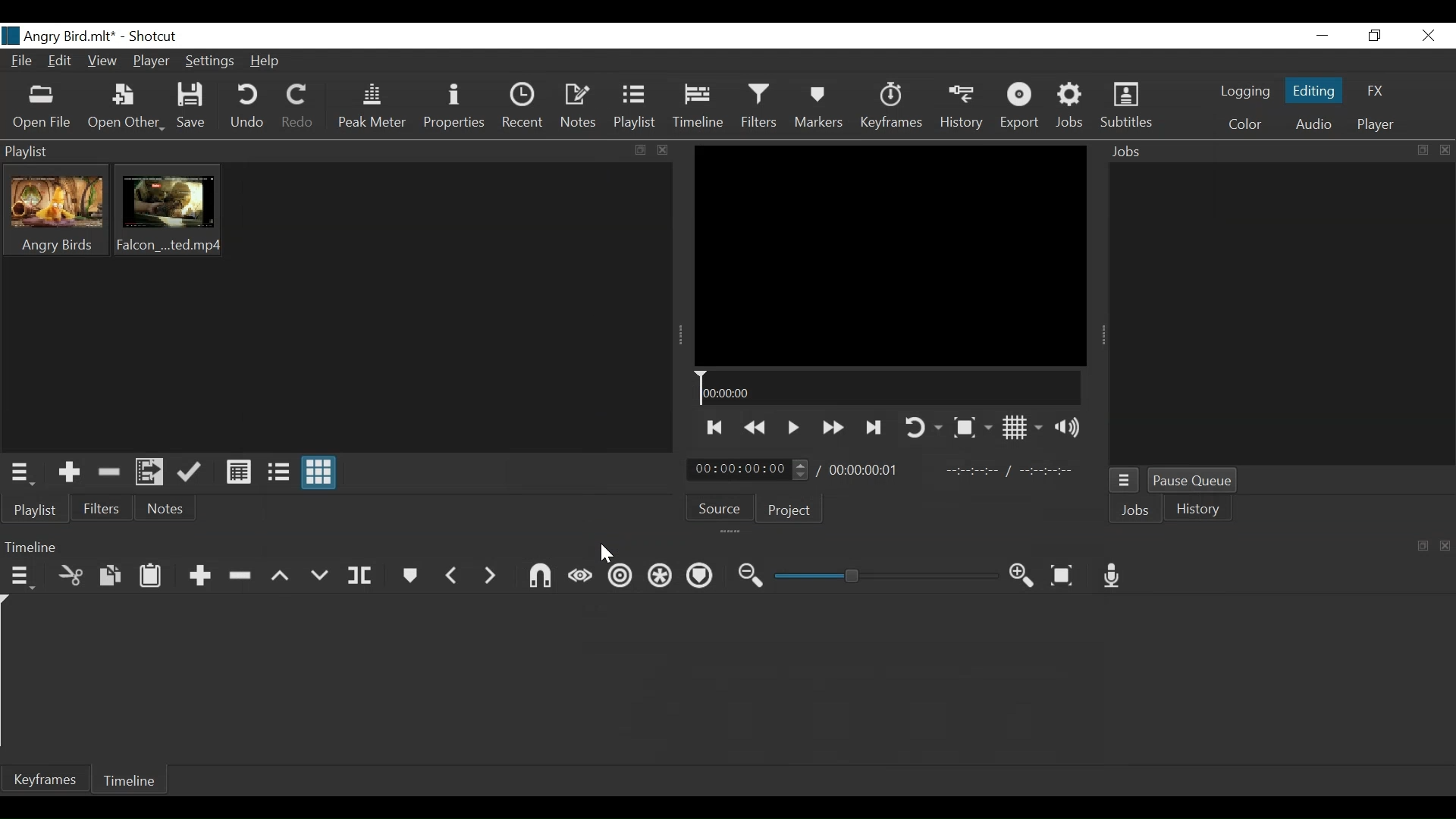 The height and width of the screenshot is (819, 1456). Describe the element at coordinates (701, 576) in the screenshot. I see `Ripple markers` at that location.